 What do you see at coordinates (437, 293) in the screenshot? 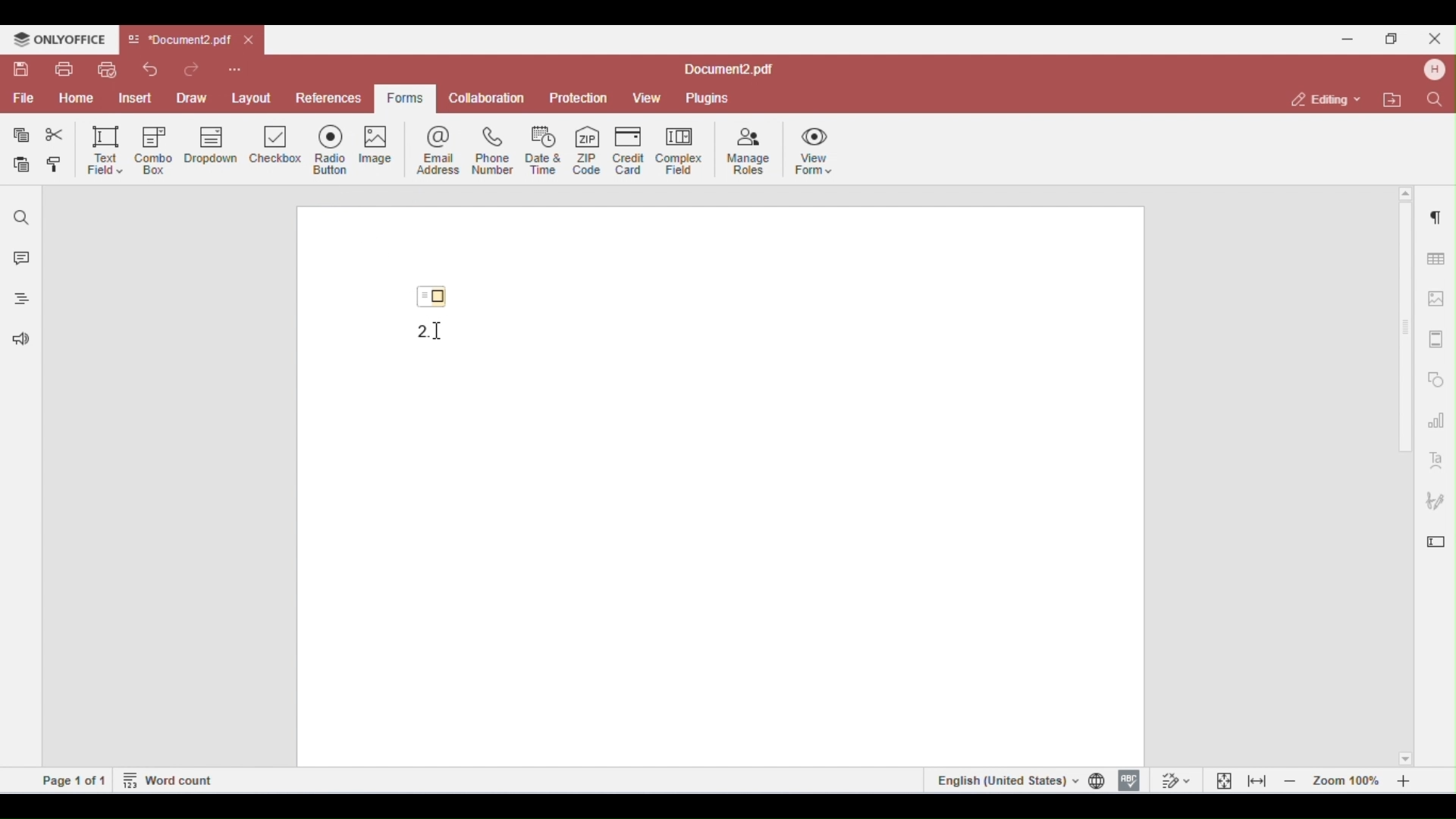
I see `checkbox appeared` at bounding box center [437, 293].